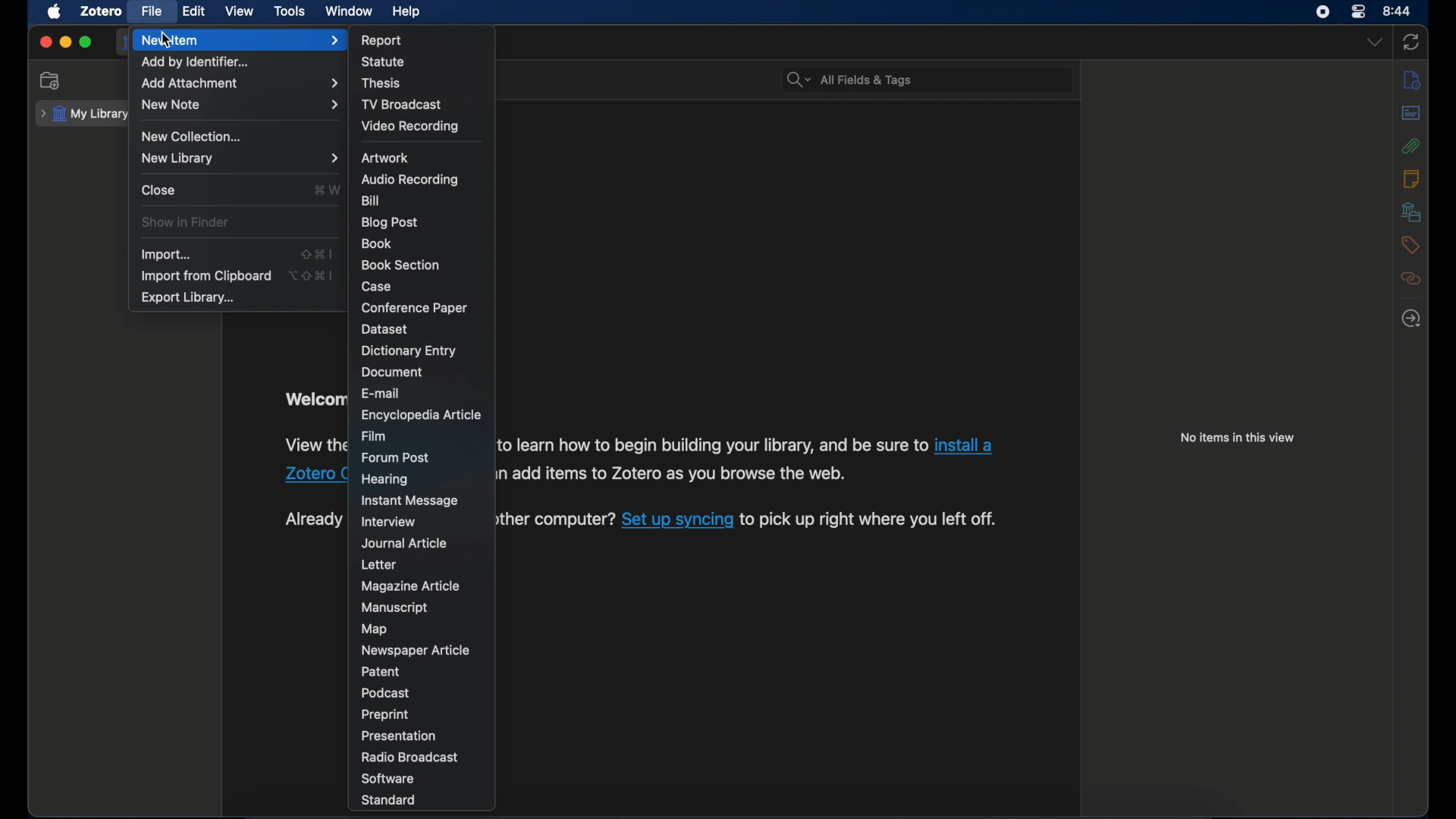  What do you see at coordinates (192, 11) in the screenshot?
I see `edit` at bounding box center [192, 11].